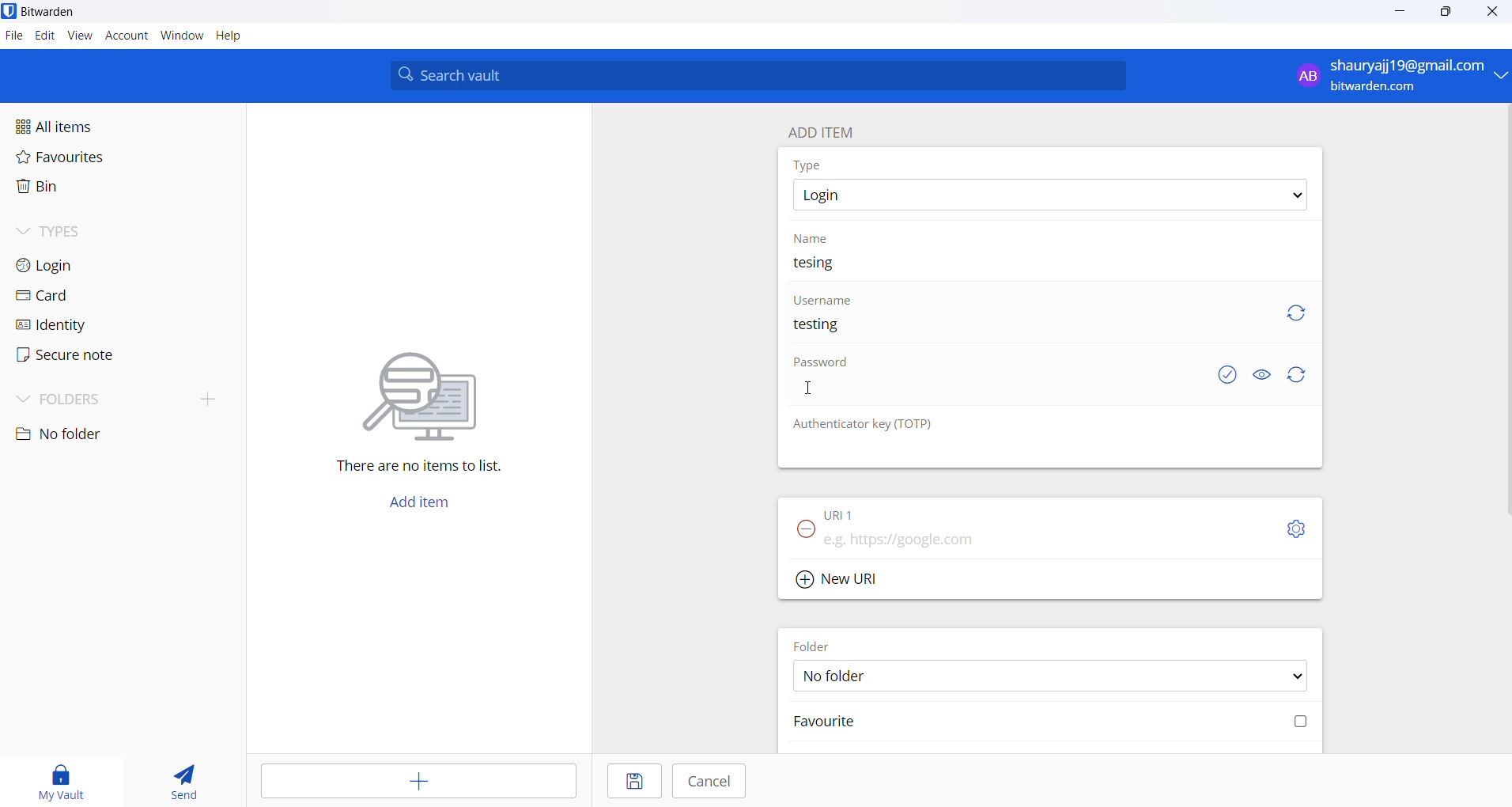 This screenshot has height=807, width=1512. What do you see at coordinates (818, 643) in the screenshot?
I see `Folder` at bounding box center [818, 643].